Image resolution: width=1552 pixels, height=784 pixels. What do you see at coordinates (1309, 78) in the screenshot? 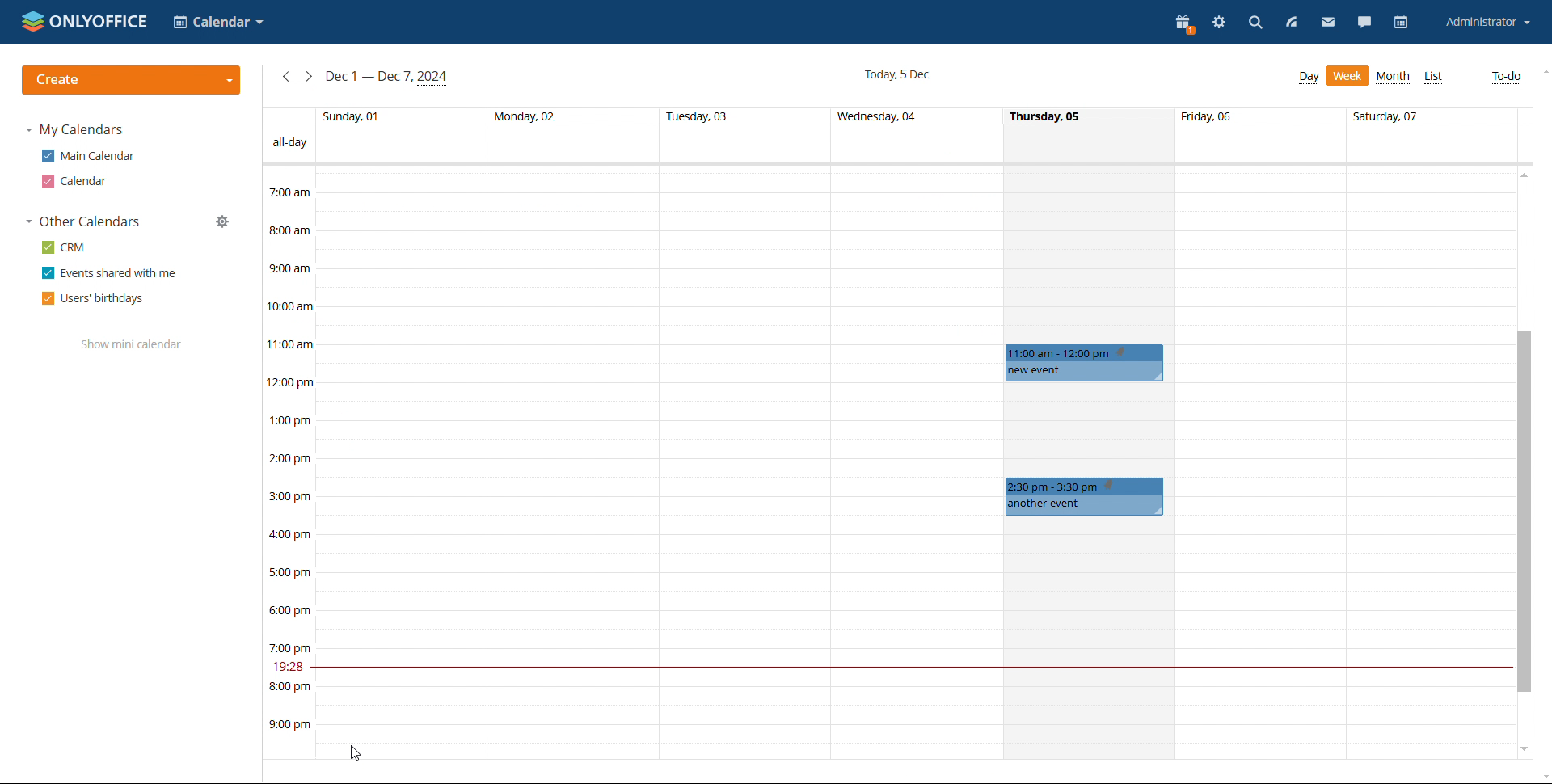
I see `week view` at bounding box center [1309, 78].